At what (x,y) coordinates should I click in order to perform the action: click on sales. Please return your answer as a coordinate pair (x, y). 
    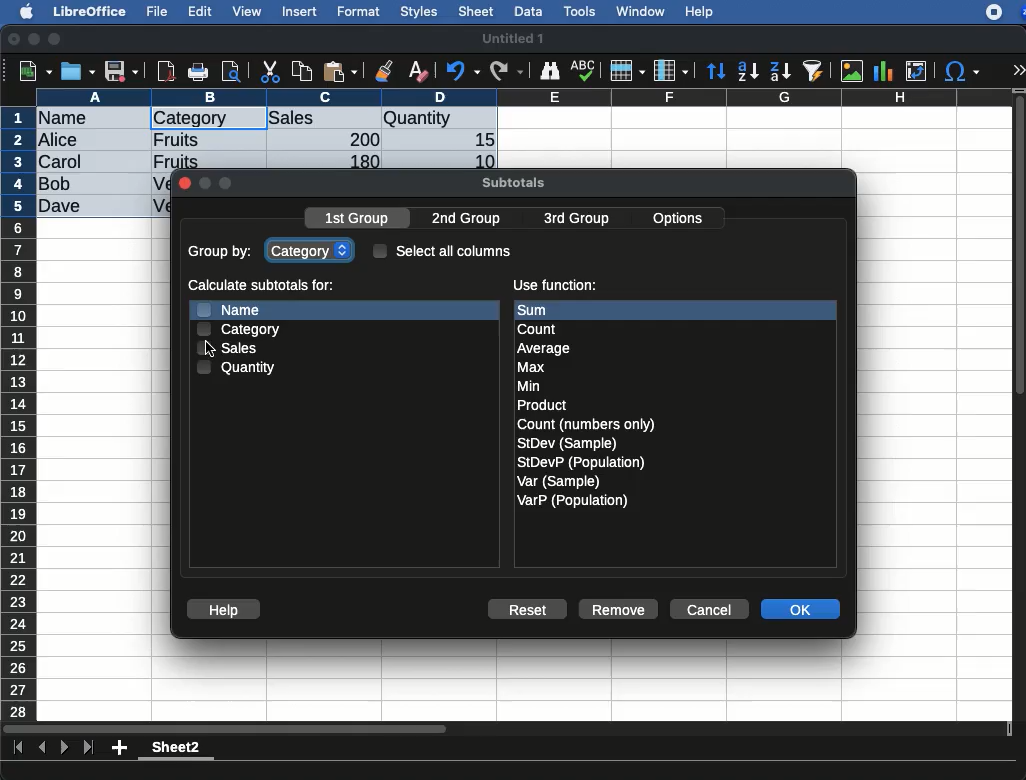
    Looking at the image, I should click on (325, 119).